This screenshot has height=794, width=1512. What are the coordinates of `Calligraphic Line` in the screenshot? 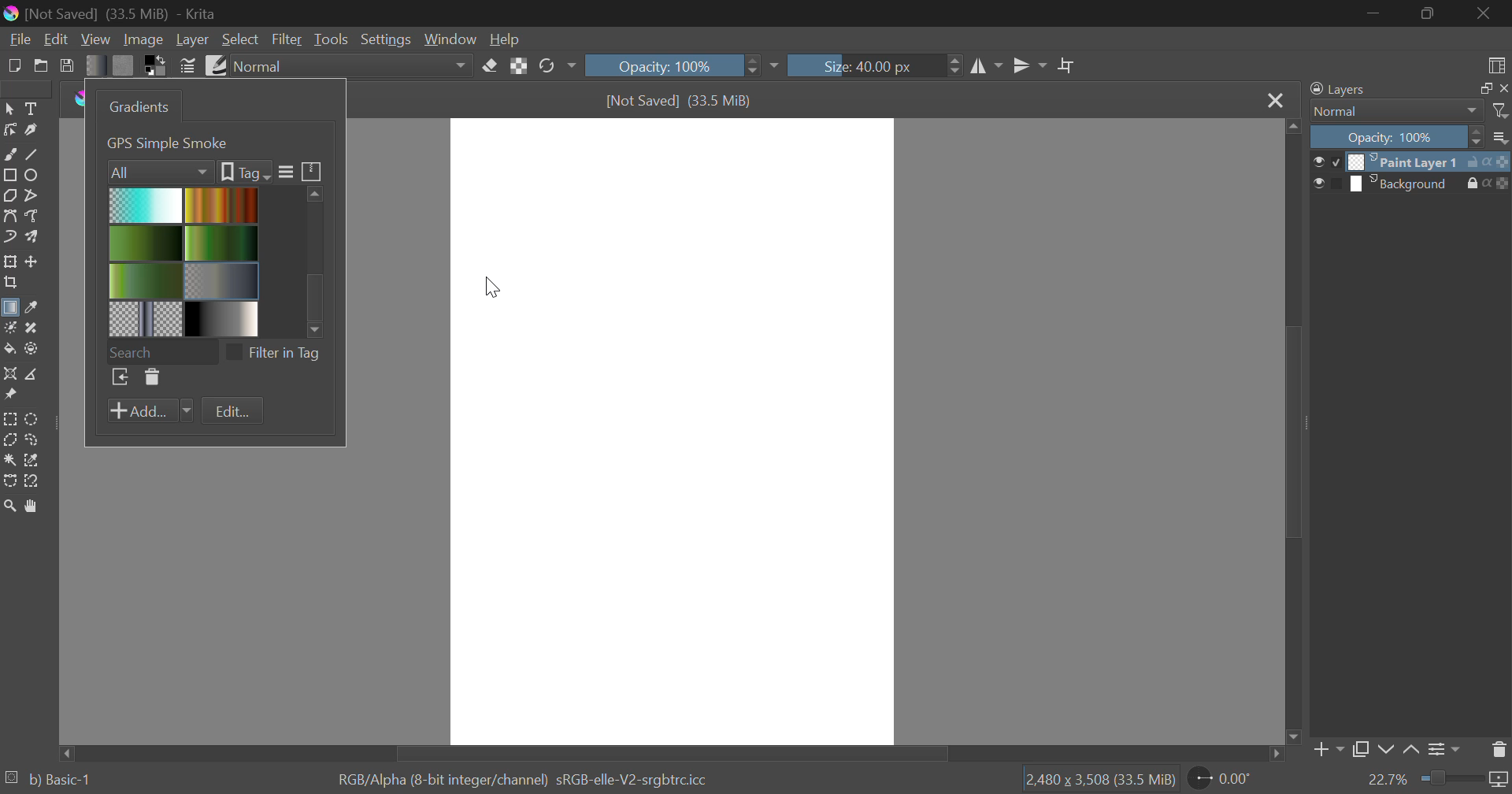 It's located at (30, 130).